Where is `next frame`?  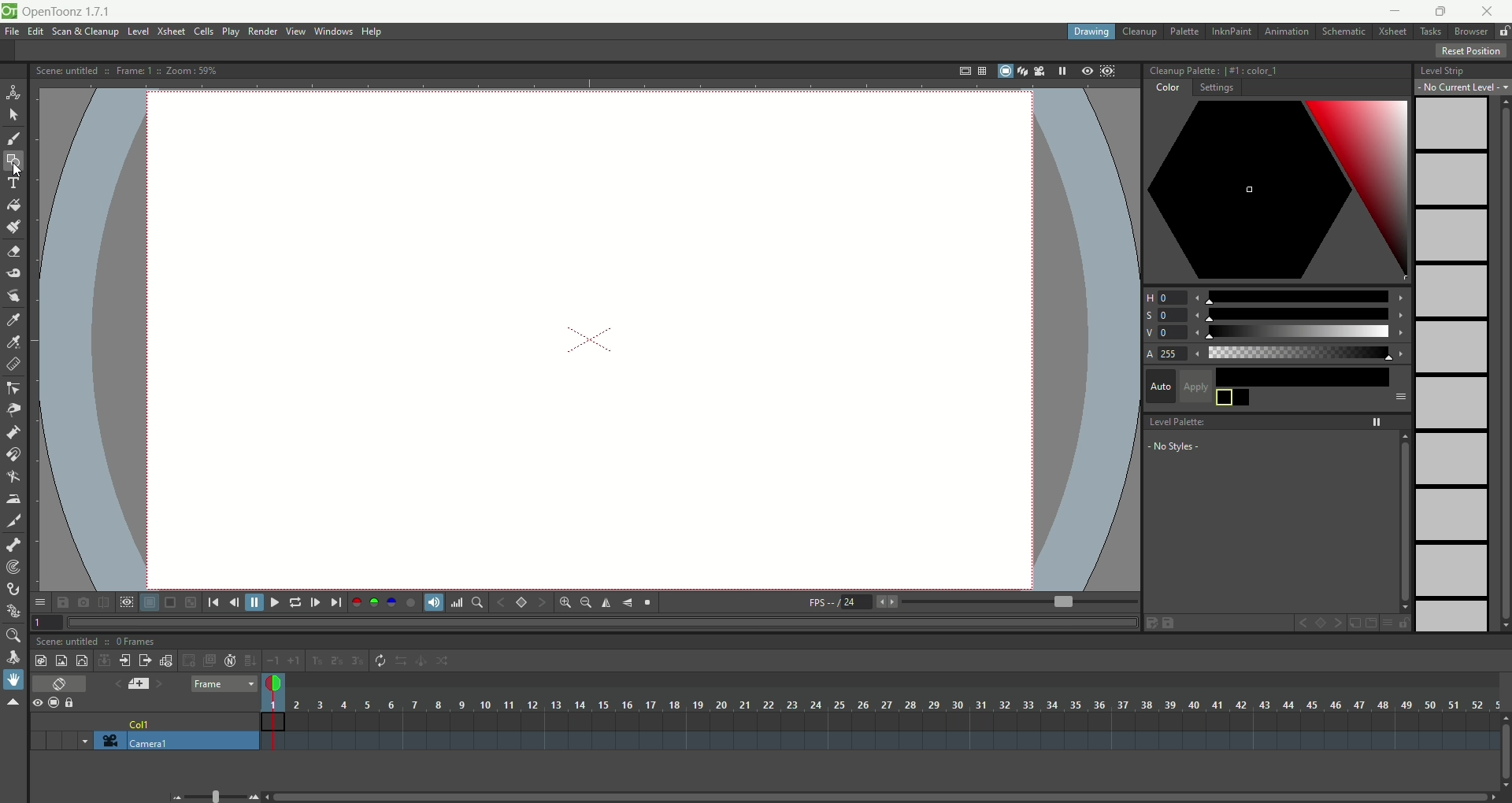
next frame is located at coordinates (314, 602).